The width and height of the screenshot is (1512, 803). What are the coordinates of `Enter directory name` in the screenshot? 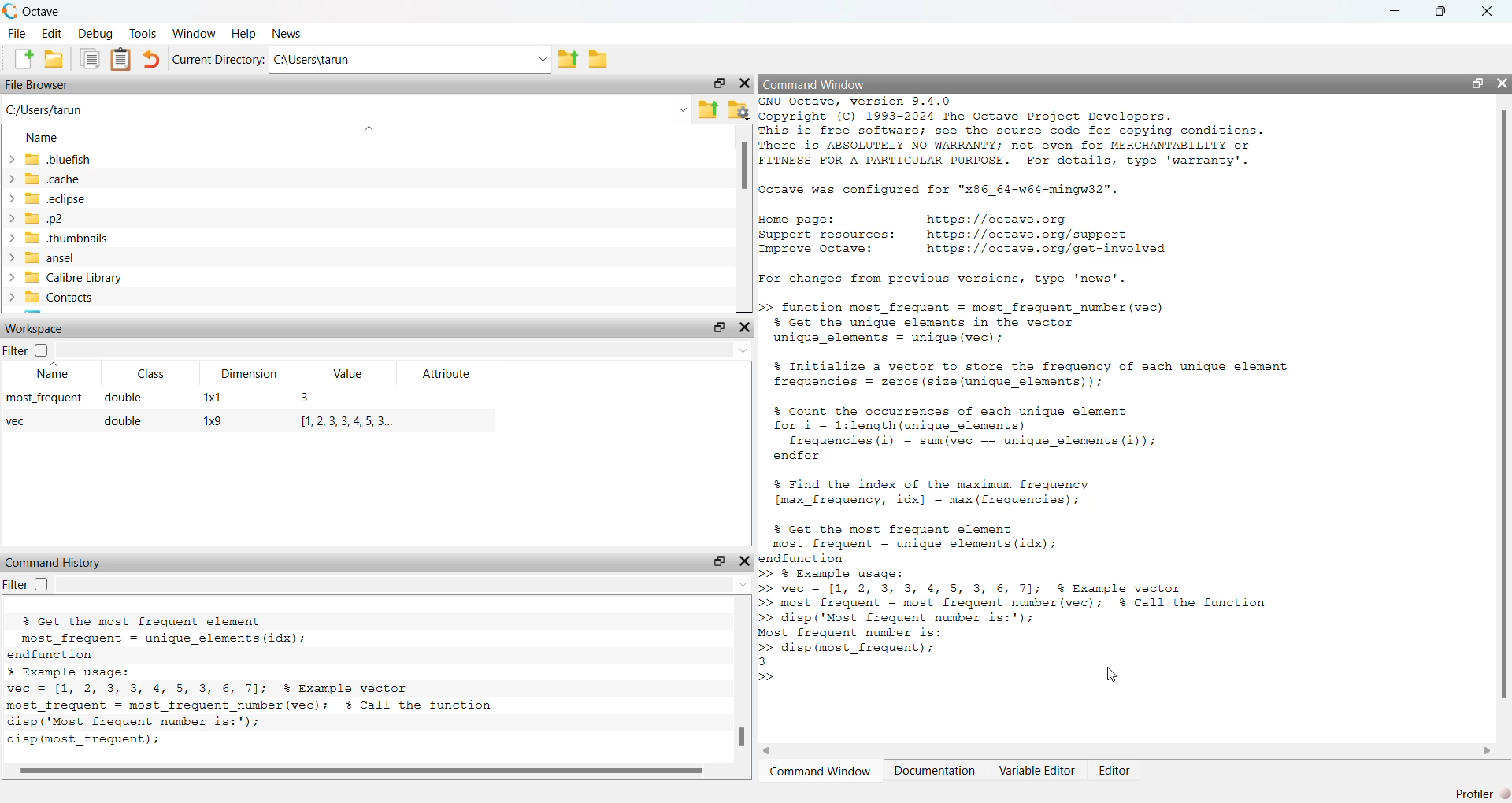 It's located at (543, 58).